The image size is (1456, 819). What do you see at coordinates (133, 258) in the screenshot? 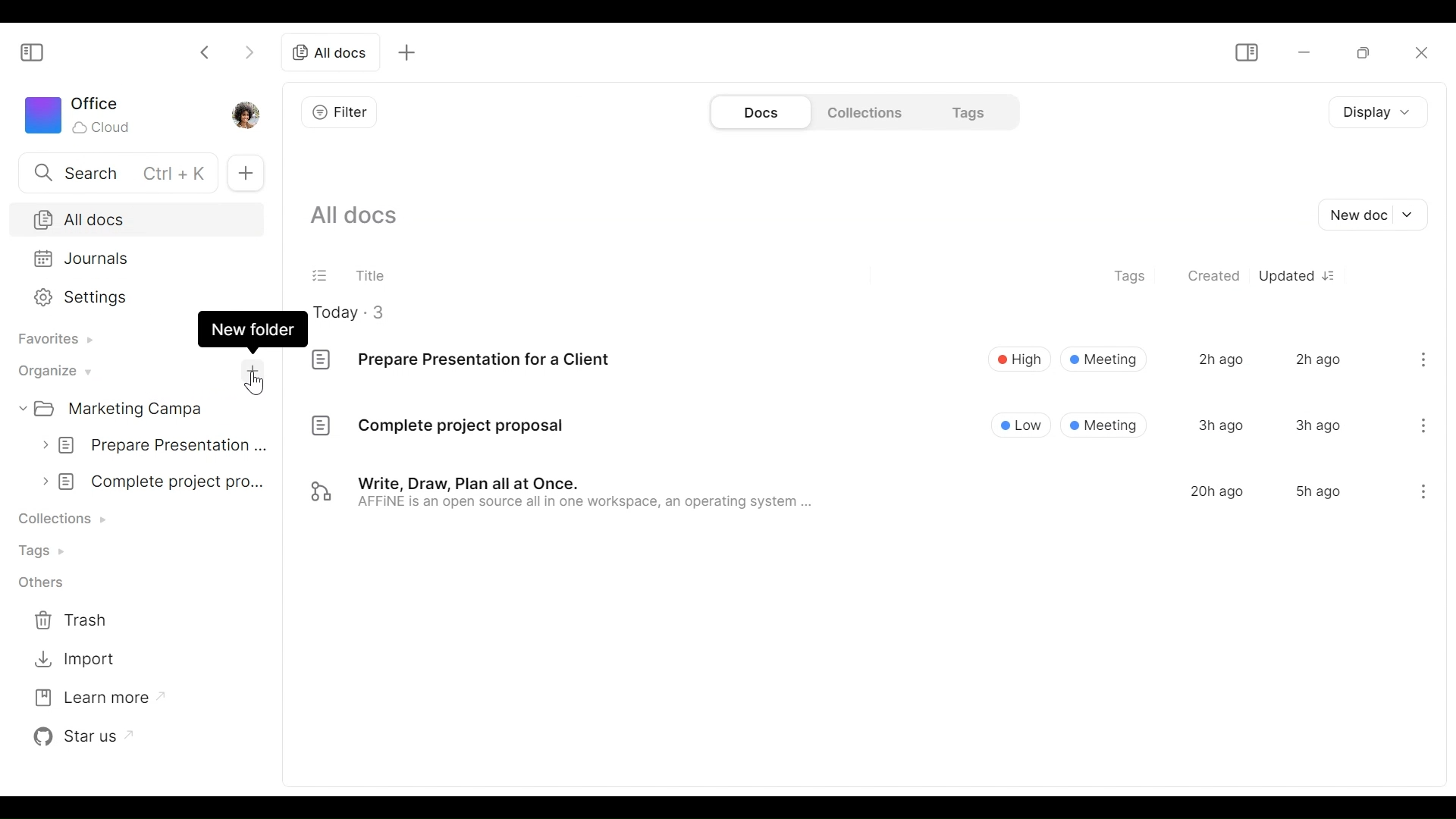
I see `Journals` at bounding box center [133, 258].